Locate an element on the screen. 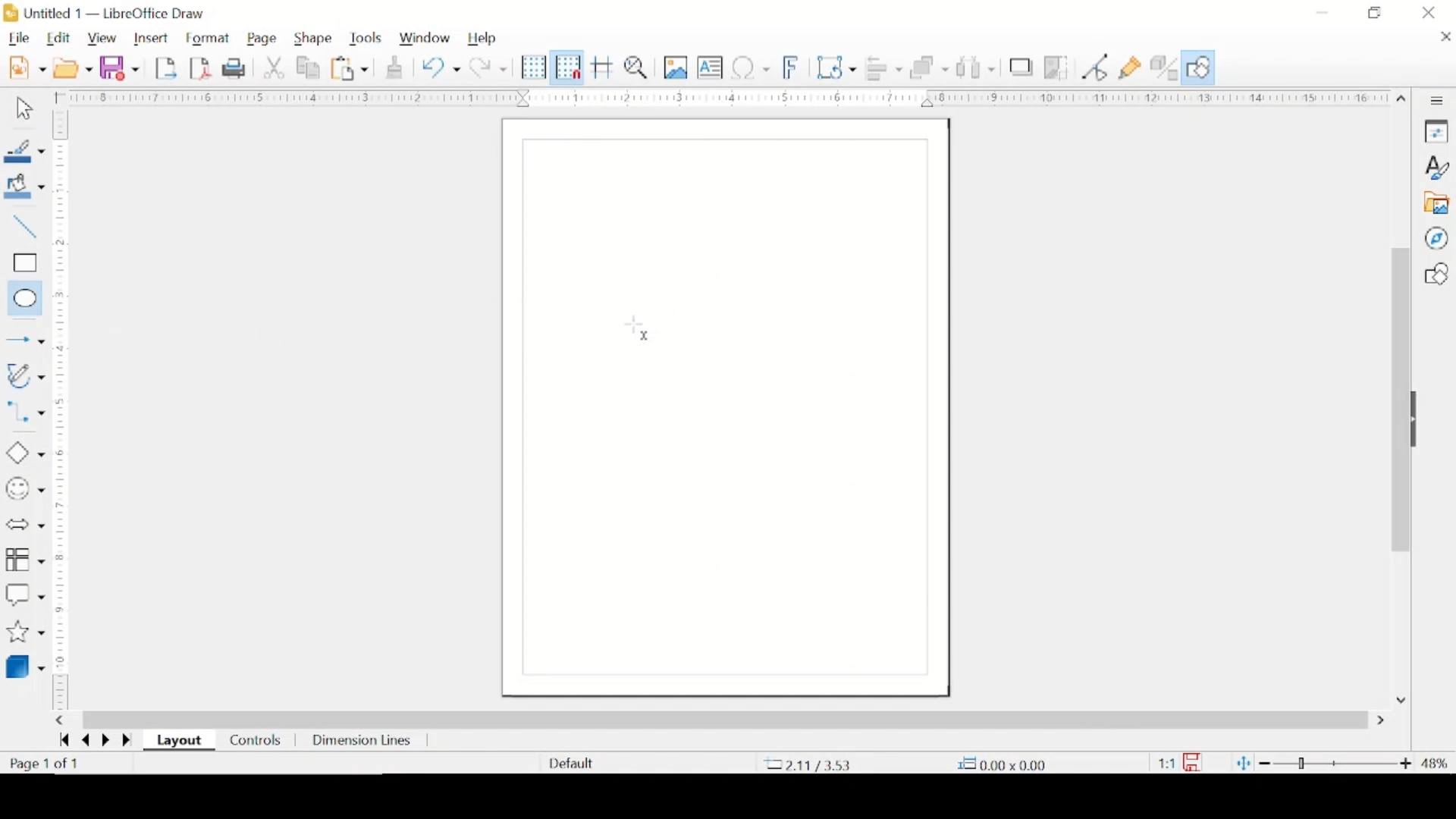 This screenshot has height=819, width=1456. clone formatting is located at coordinates (393, 67).